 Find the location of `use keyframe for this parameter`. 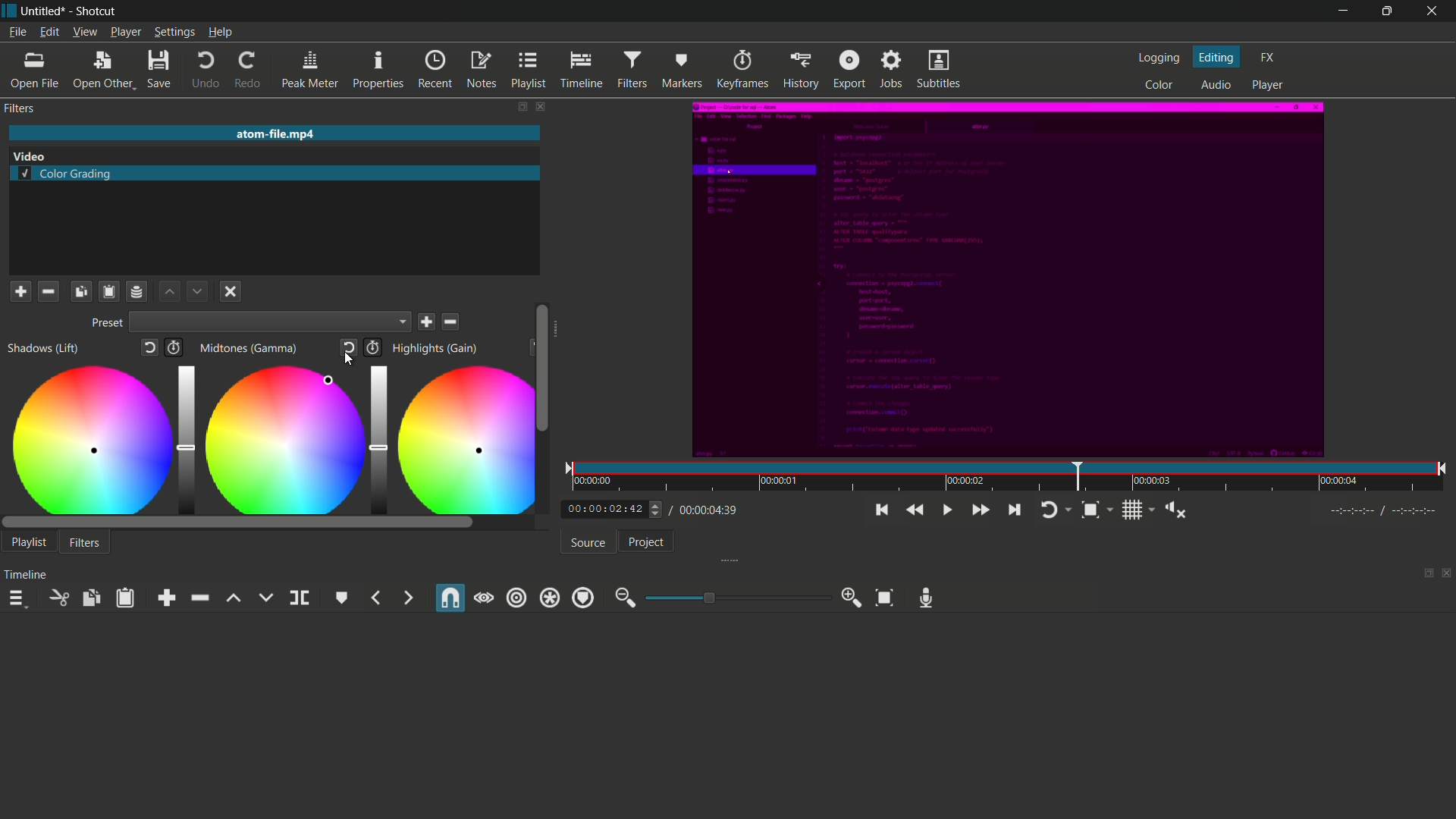

use keyframe for this parameter is located at coordinates (372, 347).